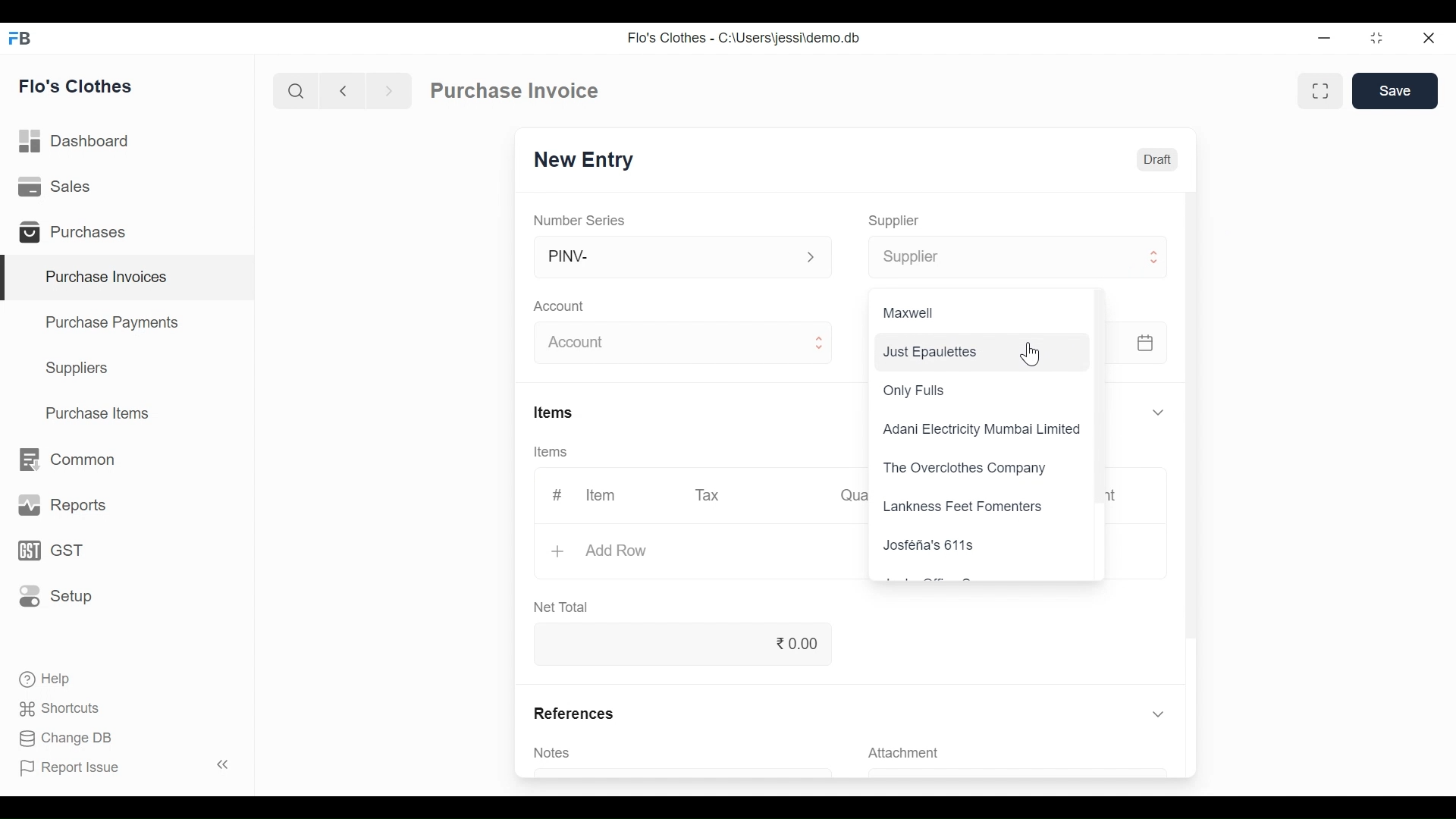 Image resolution: width=1456 pixels, height=819 pixels. I want to click on Expand, so click(1156, 261).